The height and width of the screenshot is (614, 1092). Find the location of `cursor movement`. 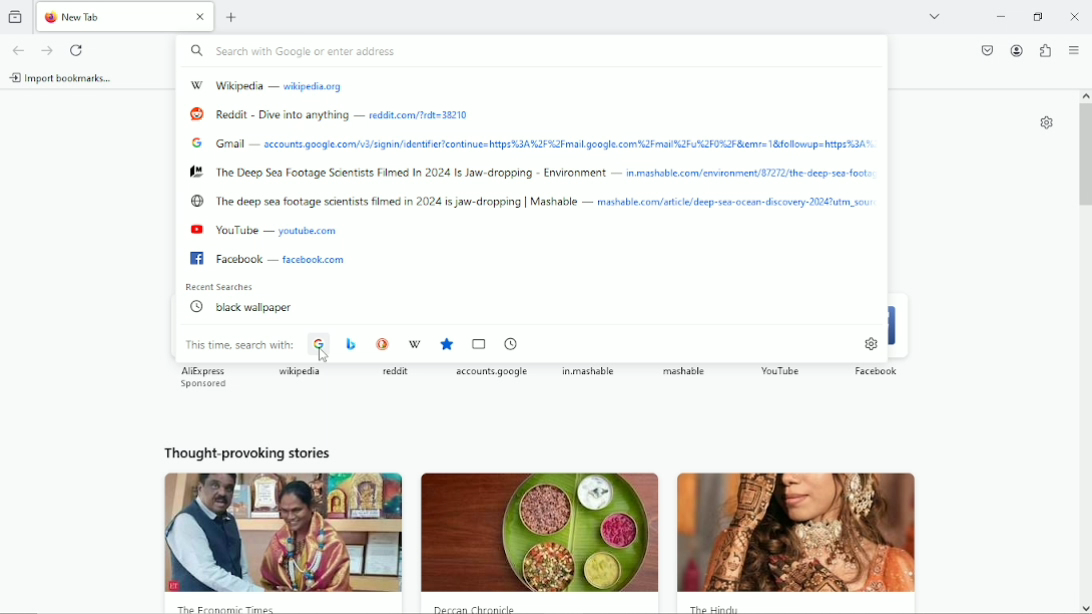

cursor movement is located at coordinates (322, 353).